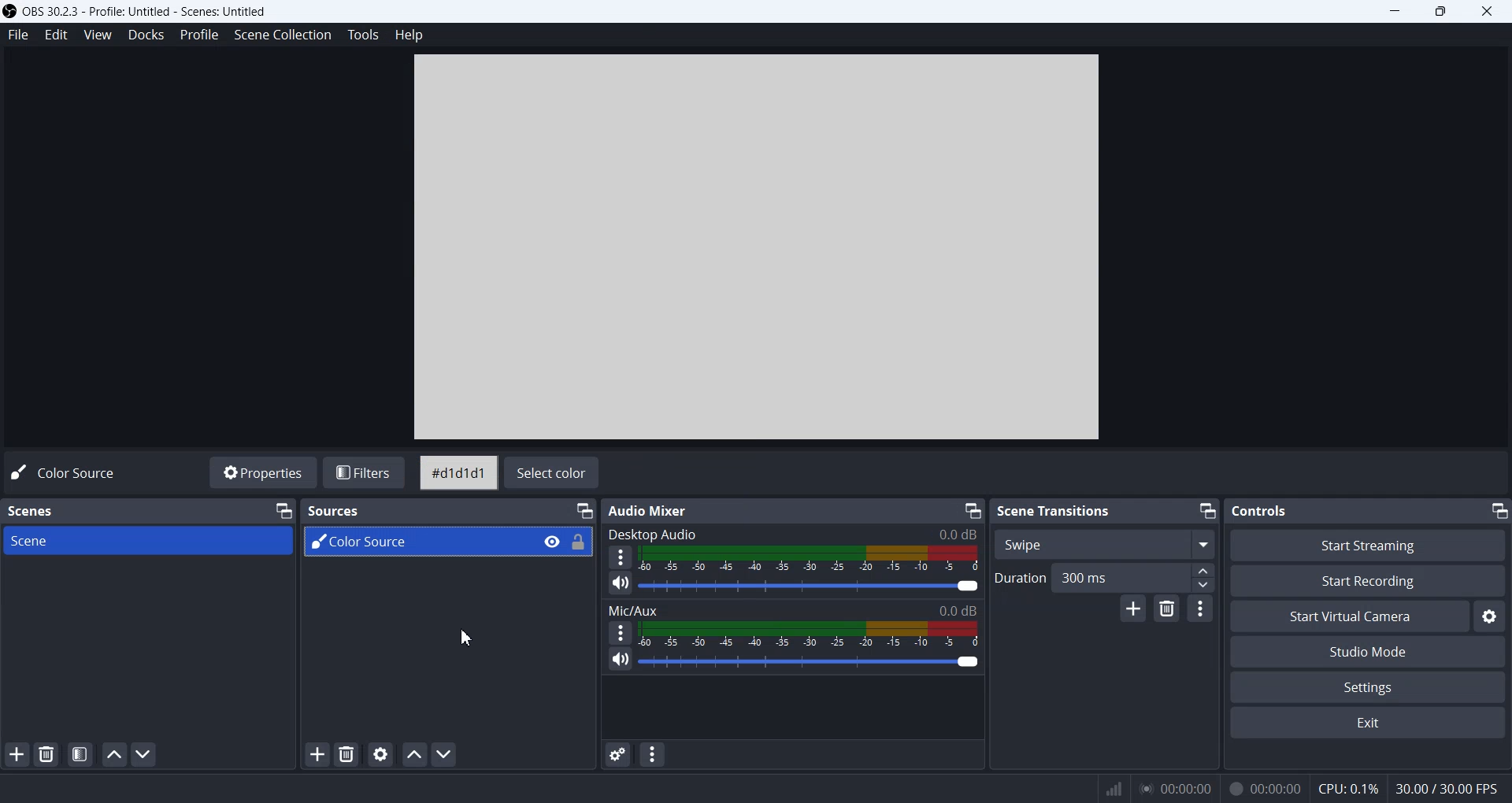  I want to click on More, so click(621, 557).